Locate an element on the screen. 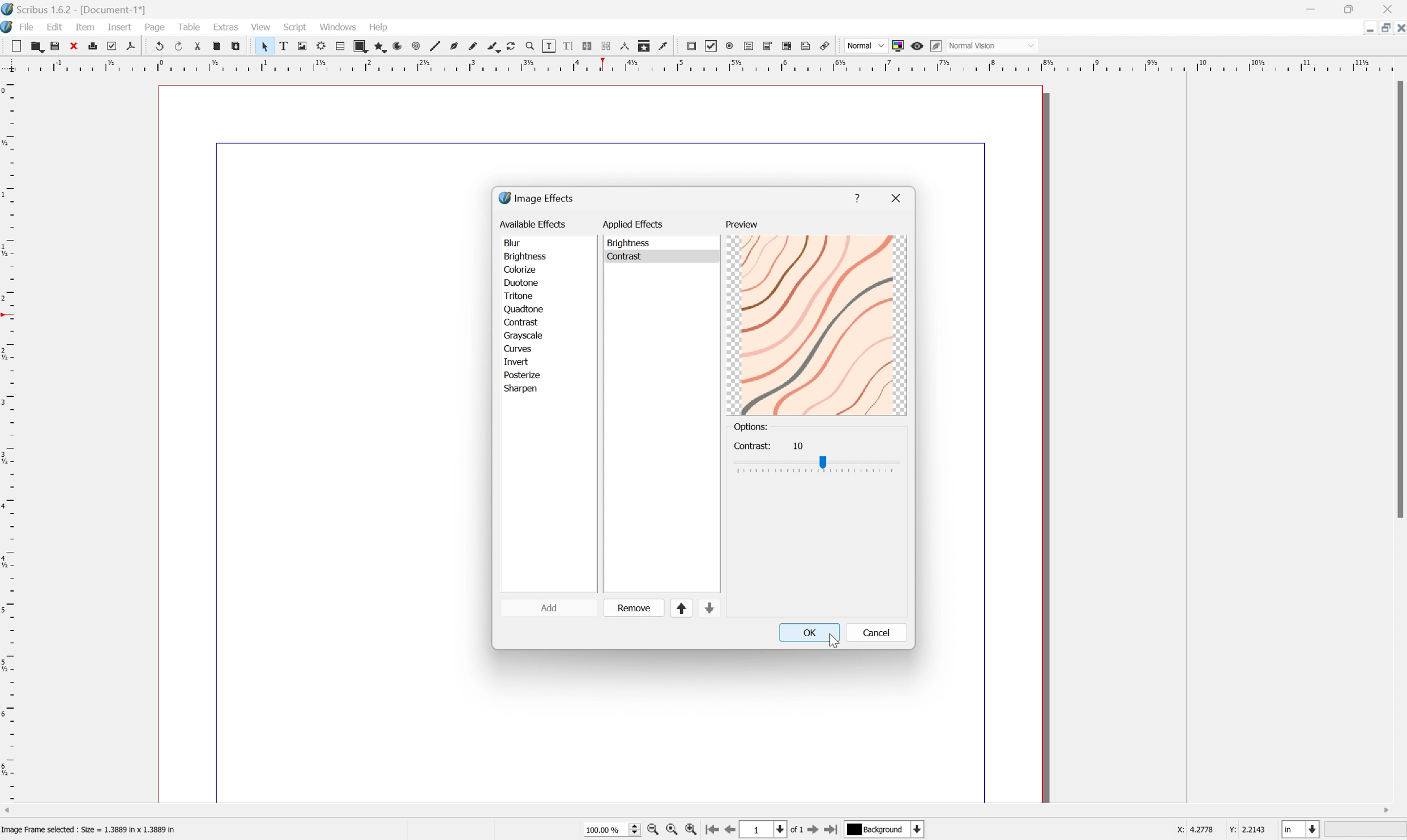 The image size is (1407, 840). Calligraphic line is located at coordinates (496, 48).